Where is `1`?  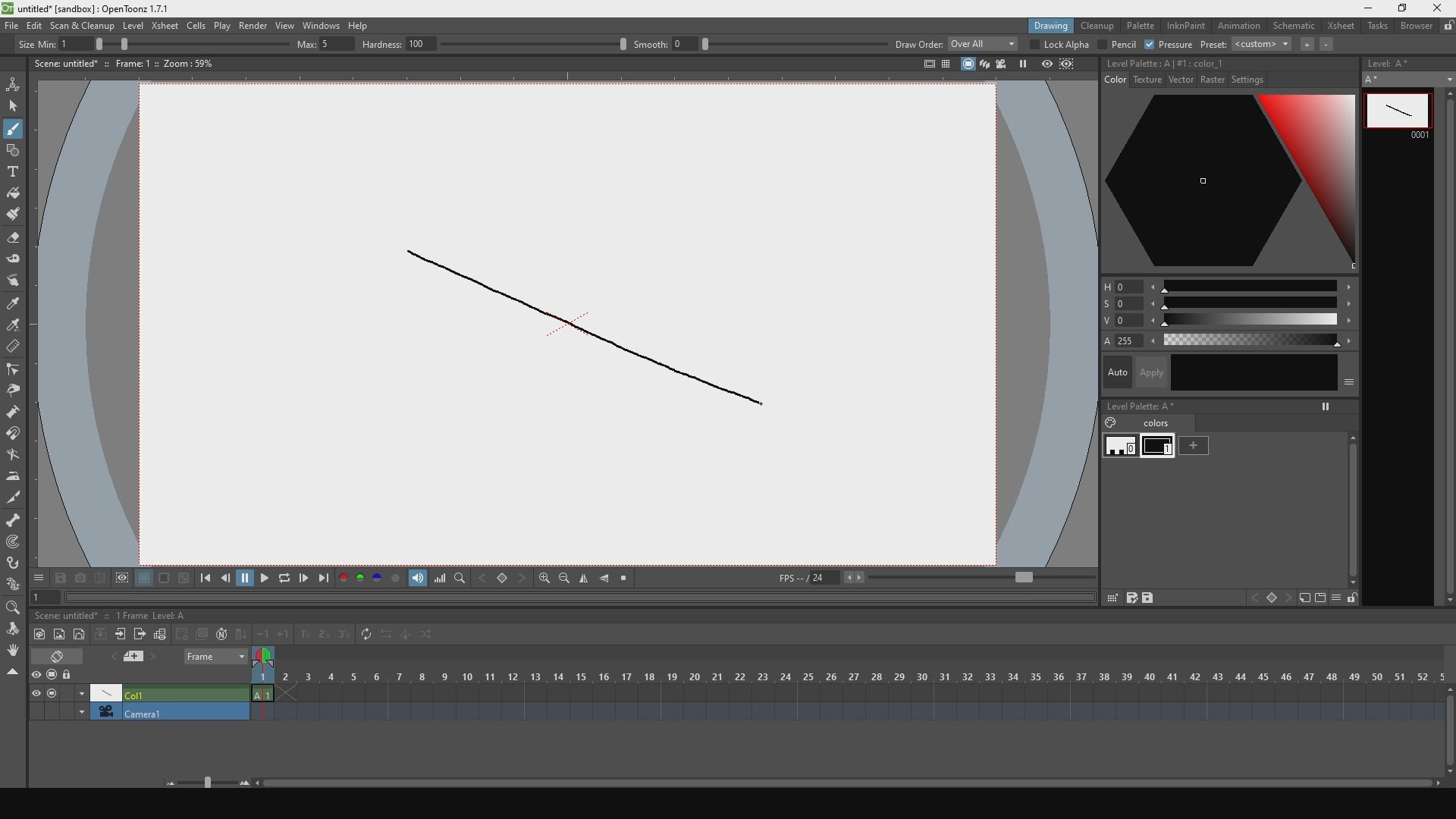 1 is located at coordinates (39, 598).